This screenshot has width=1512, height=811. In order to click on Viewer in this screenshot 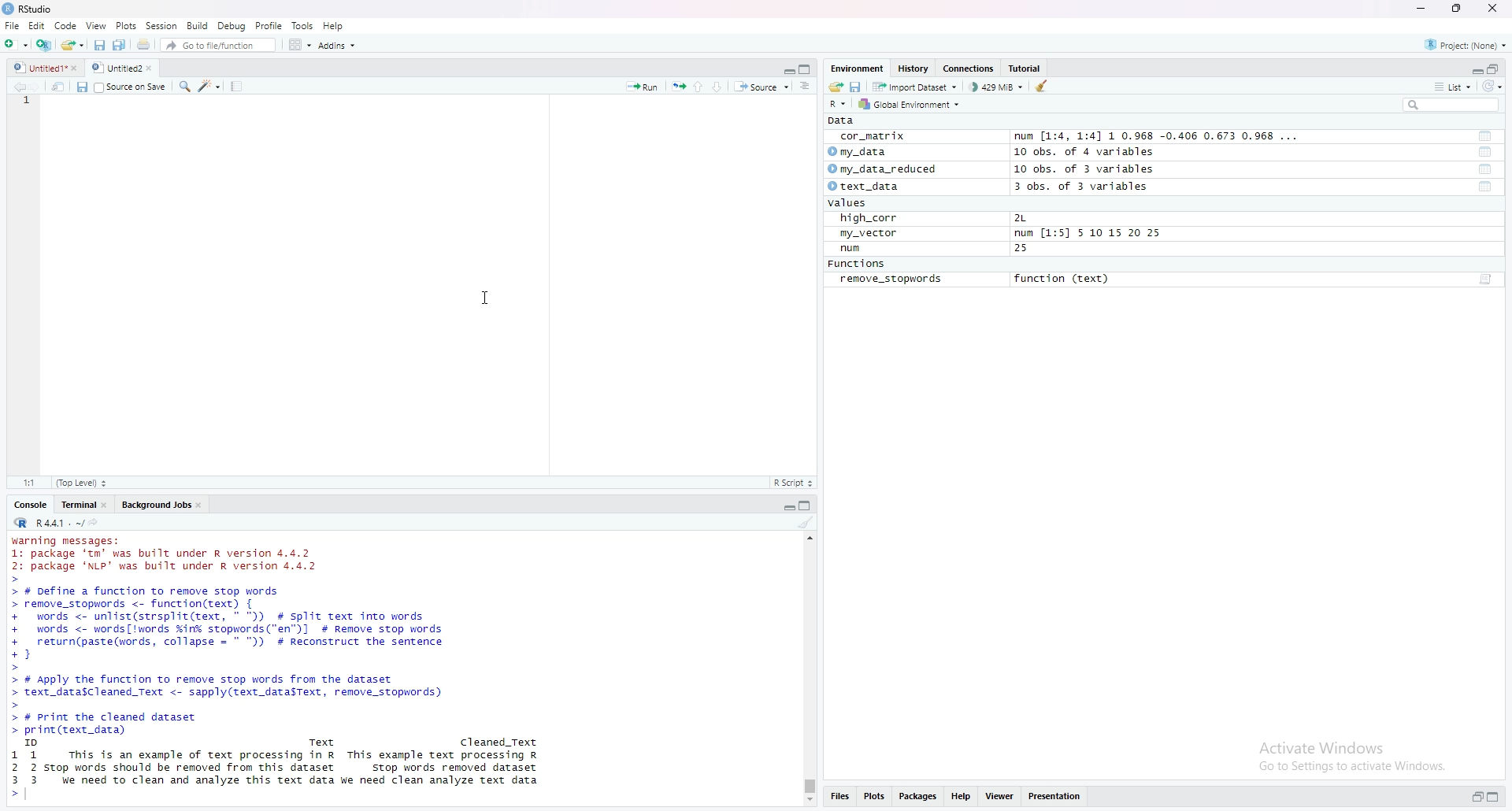, I will do `click(1001, 797)`.